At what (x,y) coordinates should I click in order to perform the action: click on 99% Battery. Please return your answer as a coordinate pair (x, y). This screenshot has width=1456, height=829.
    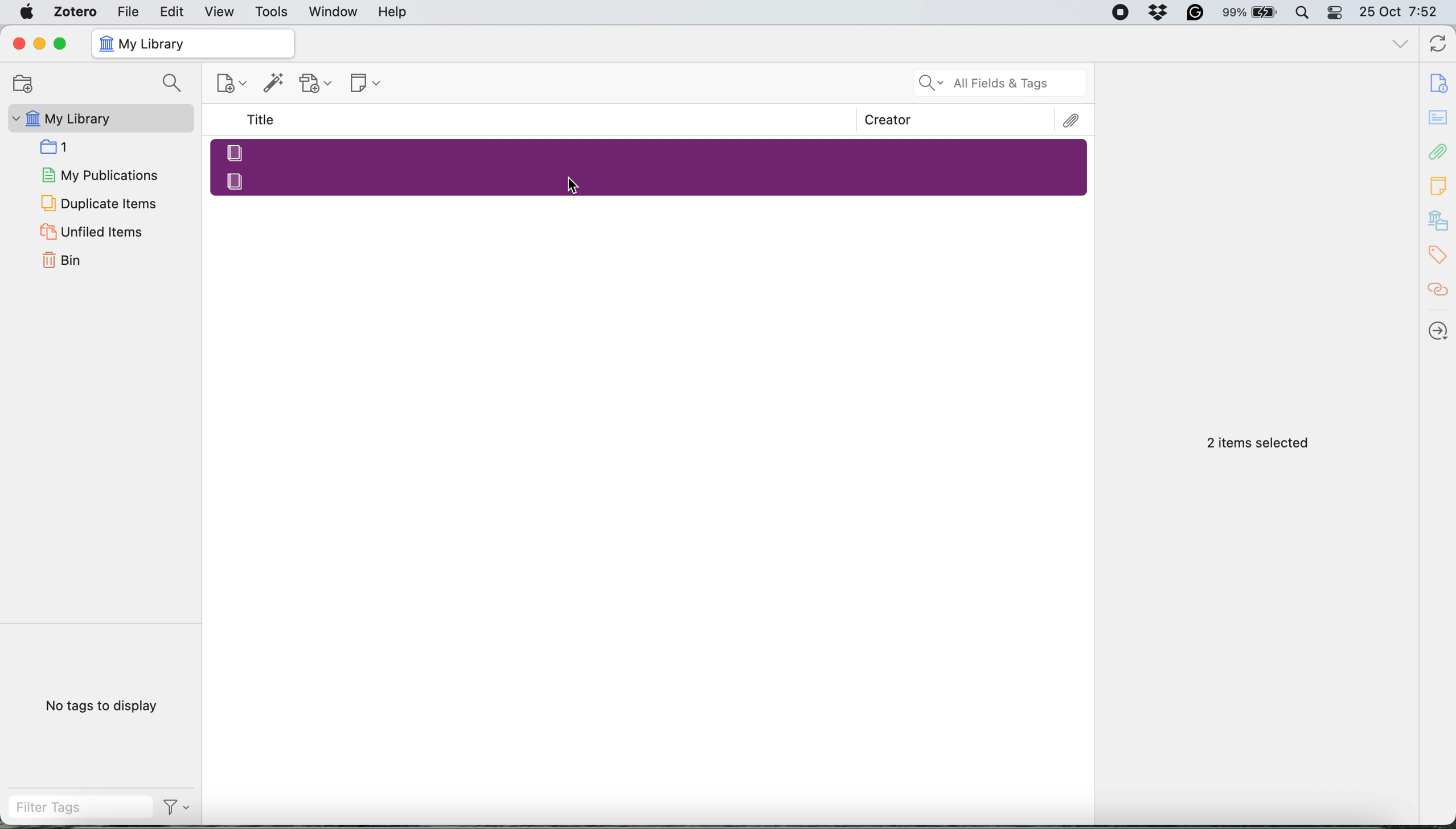
    Looking at the image, I should click on (1250, 13).